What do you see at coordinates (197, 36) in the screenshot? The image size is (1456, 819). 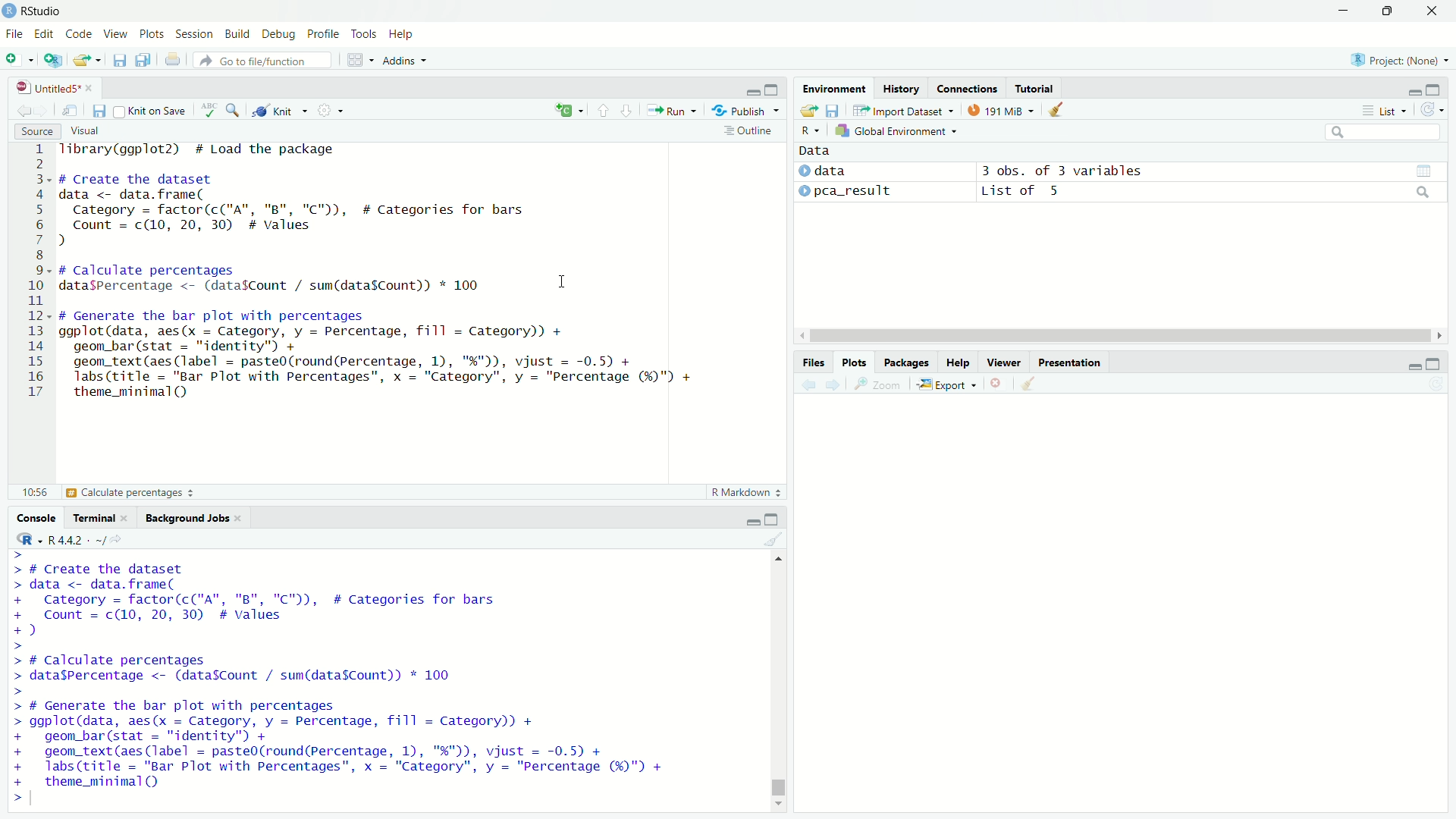 I see `session` at bounding box center [197, 36].